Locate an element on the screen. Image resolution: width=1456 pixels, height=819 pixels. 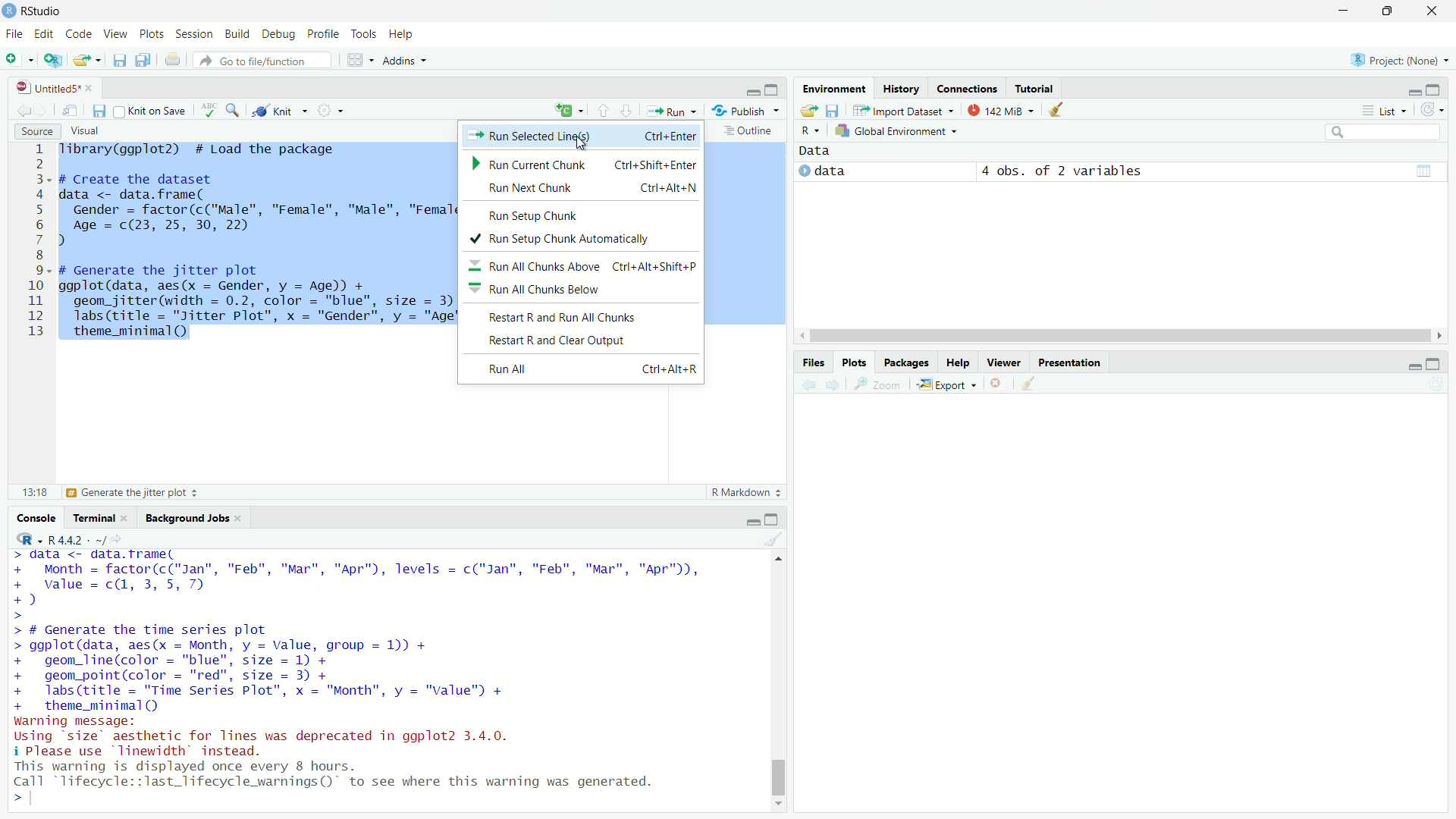
help is located at coordinates (408, 32).